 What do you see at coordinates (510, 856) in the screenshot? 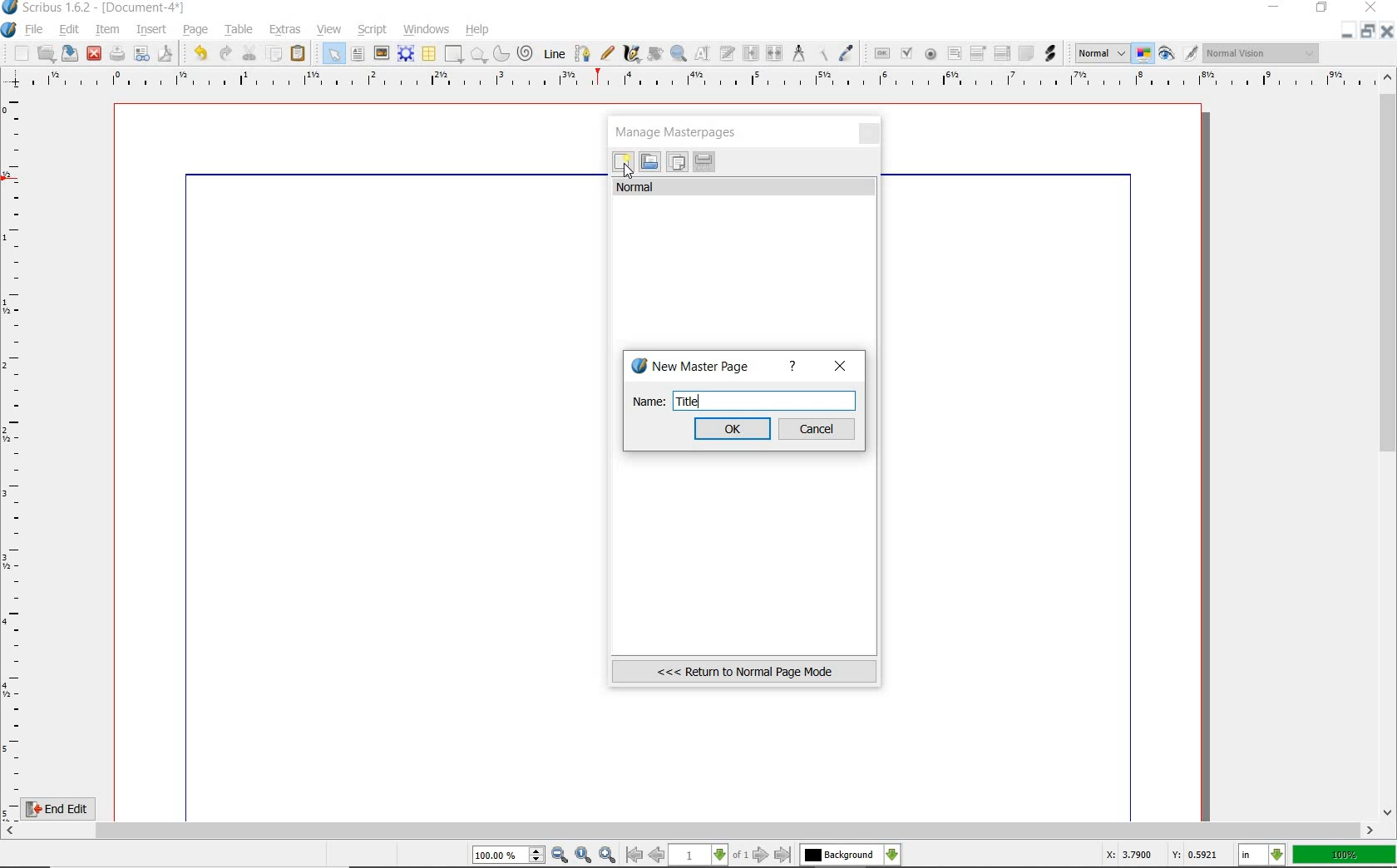
I see `100.00%` at bounding box center [510, 856].